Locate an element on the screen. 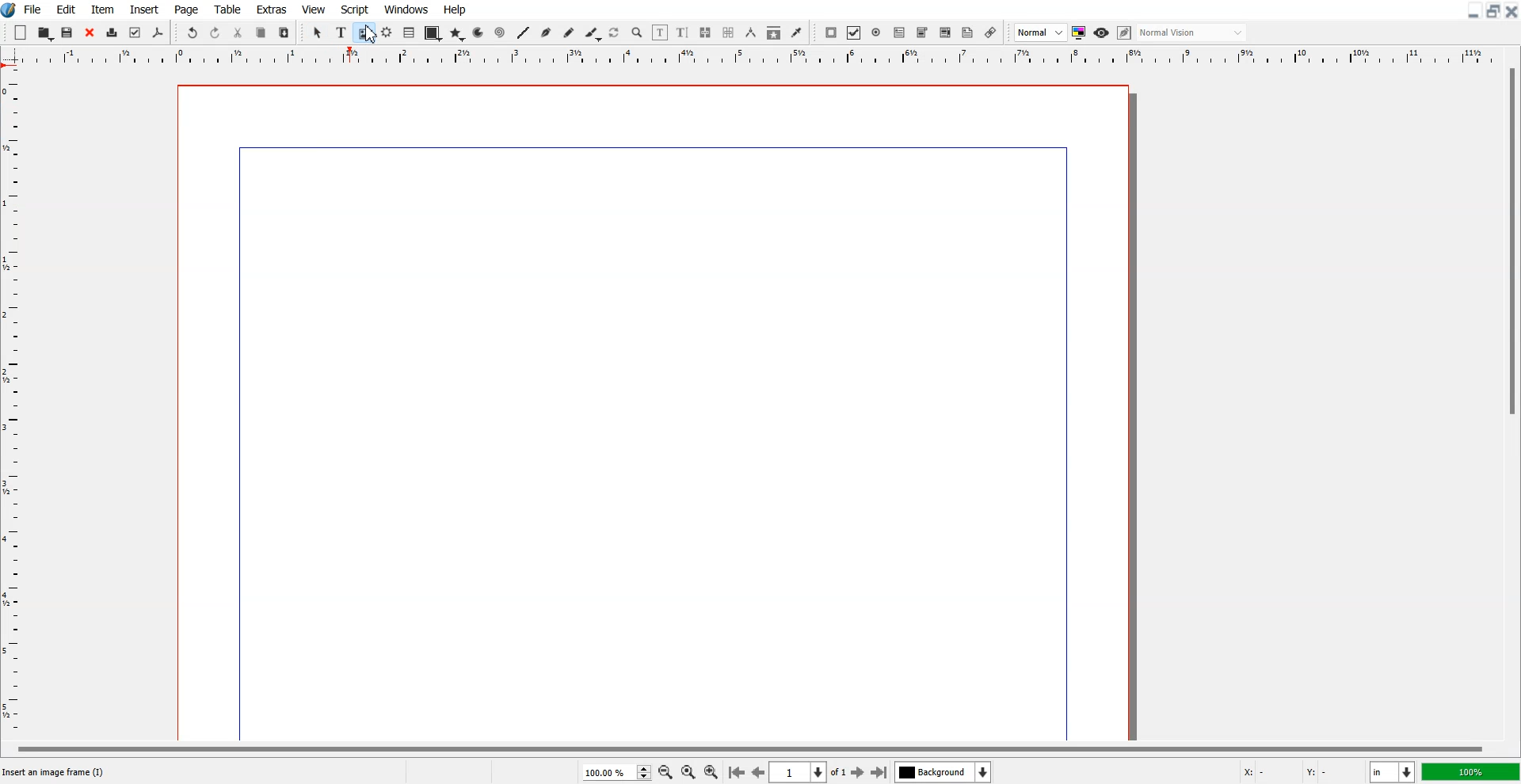 The width and height of the screenshot is (1521, 784). Select the current layer is located at coordinates (943, 771).